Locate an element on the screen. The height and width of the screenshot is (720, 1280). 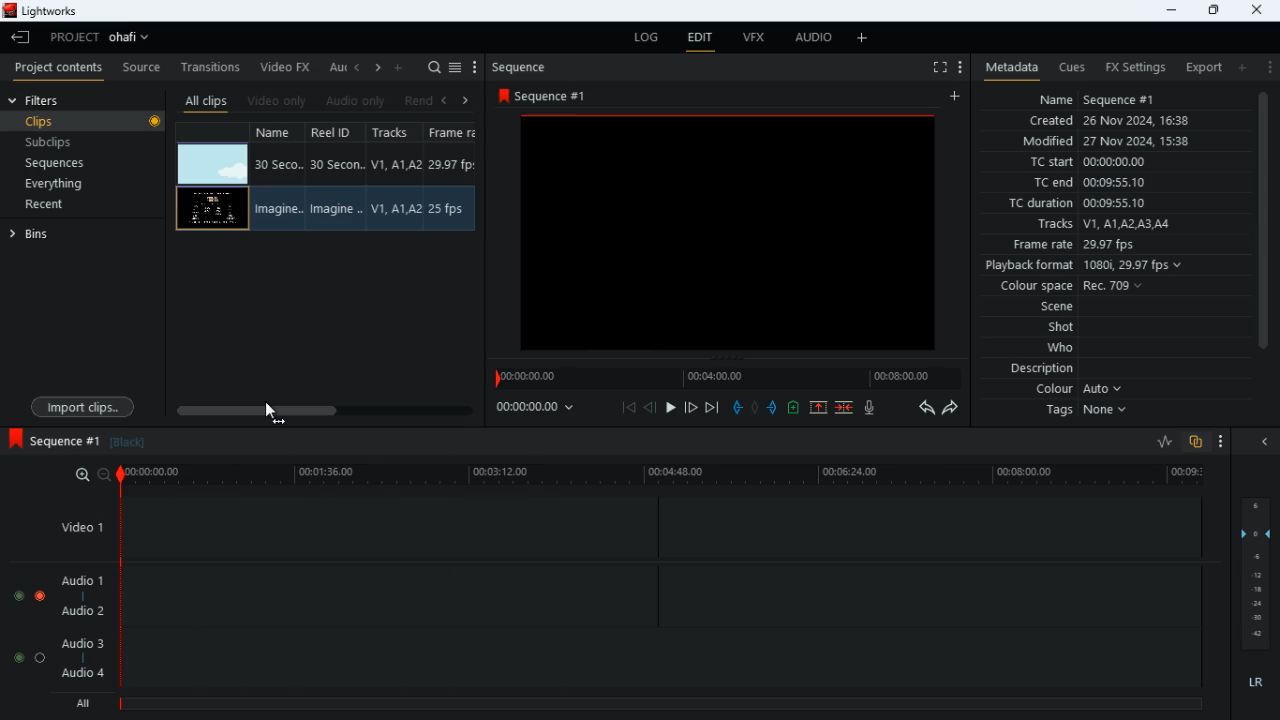
modified is located at coordinates (1113, 141).